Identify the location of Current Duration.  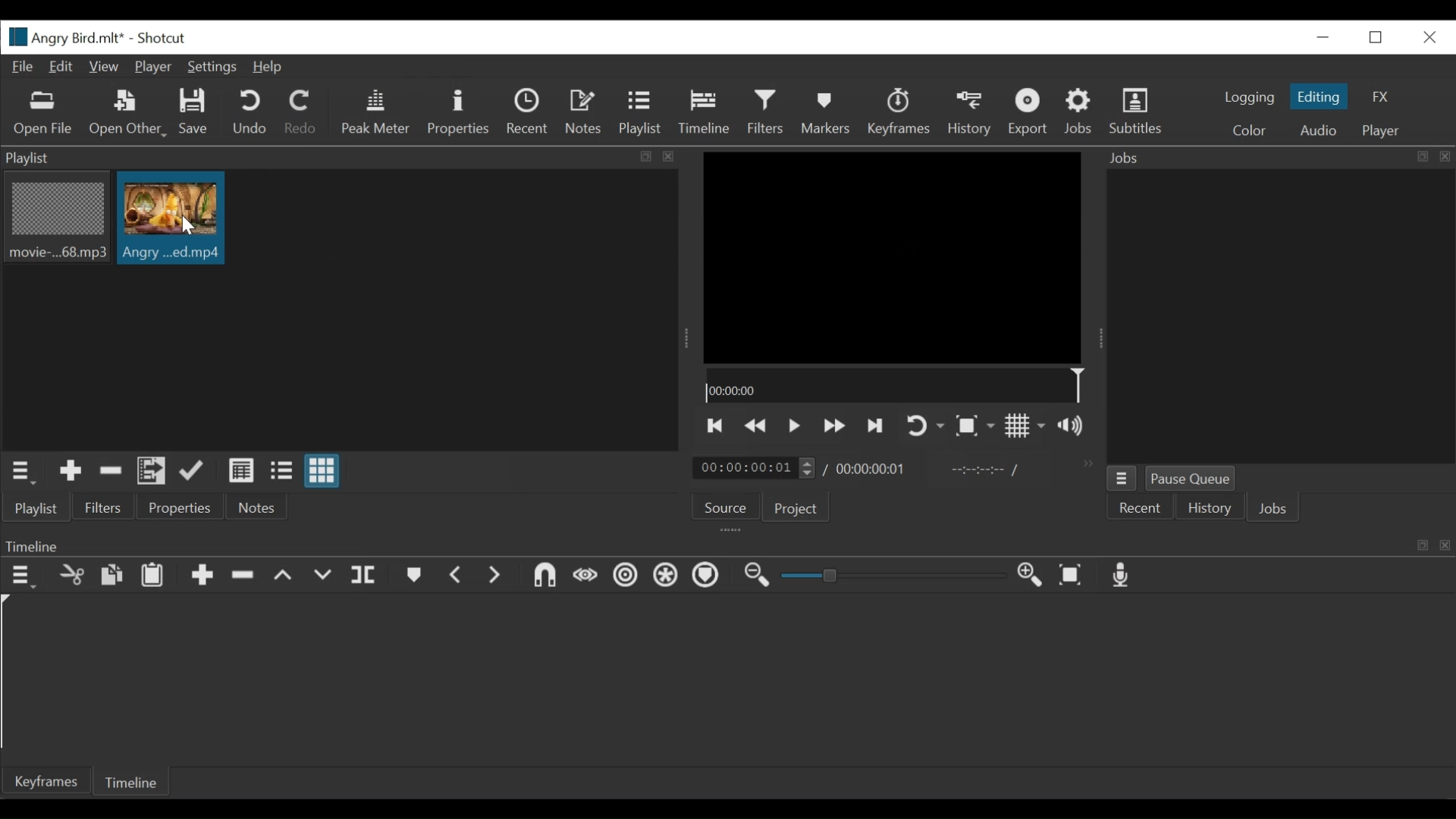
(755, 467).